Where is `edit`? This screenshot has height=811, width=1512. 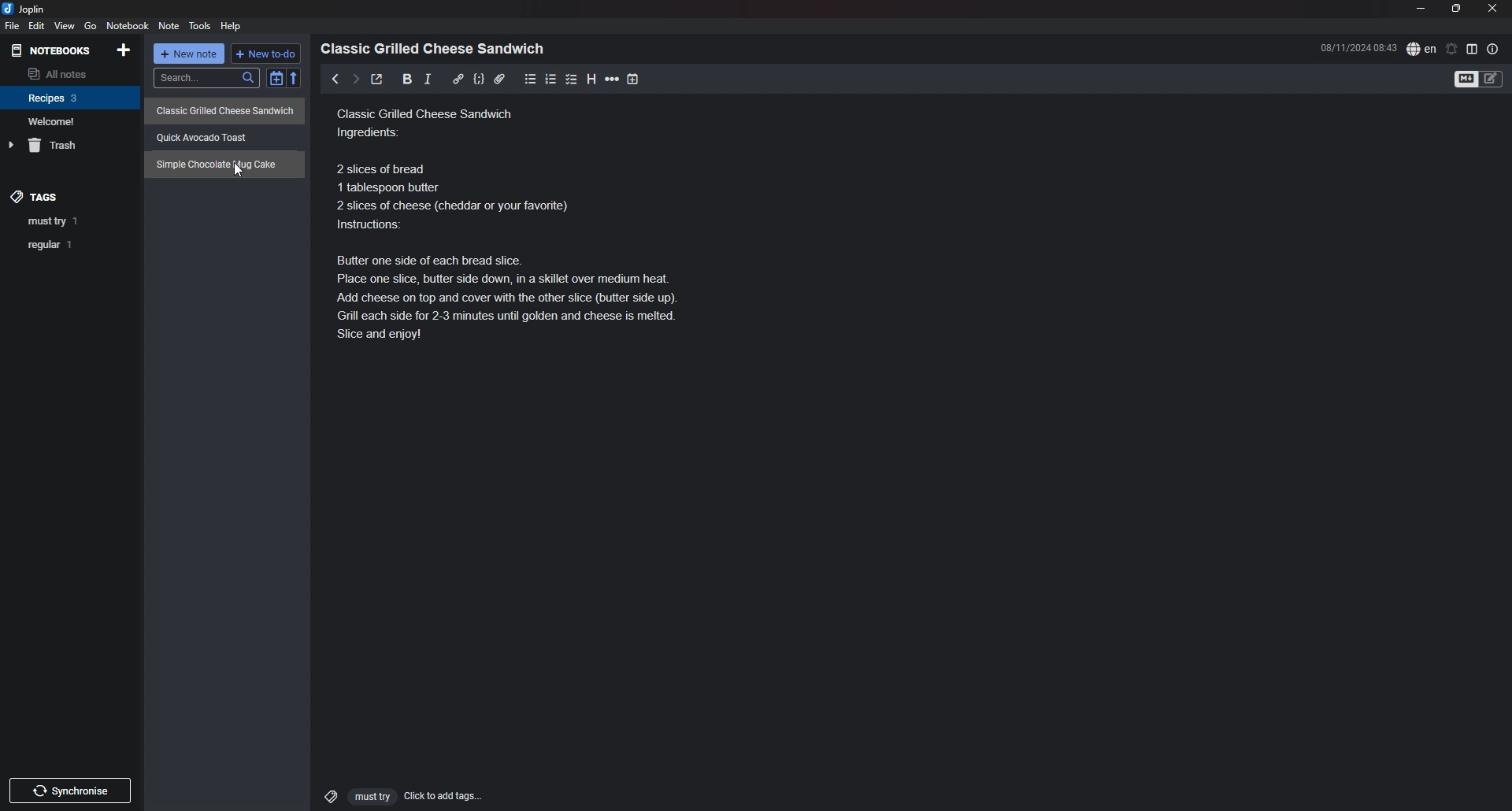 edit is located at coordinates (35, 26).